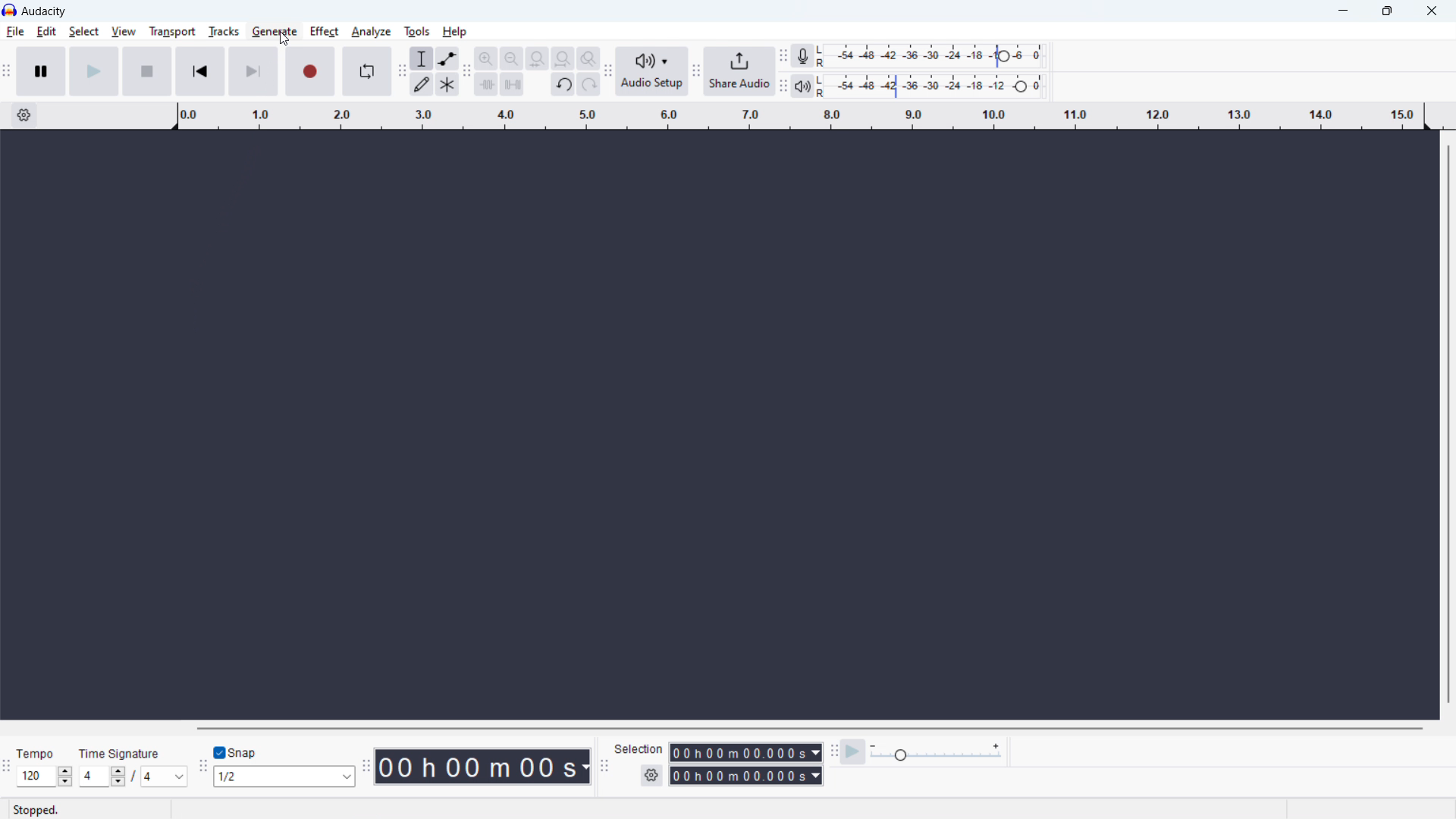 This screenshot has width=1456, height=819. Describe the element at coordinates (200, 71) in the screenshot. I see `skip to start` at that location.